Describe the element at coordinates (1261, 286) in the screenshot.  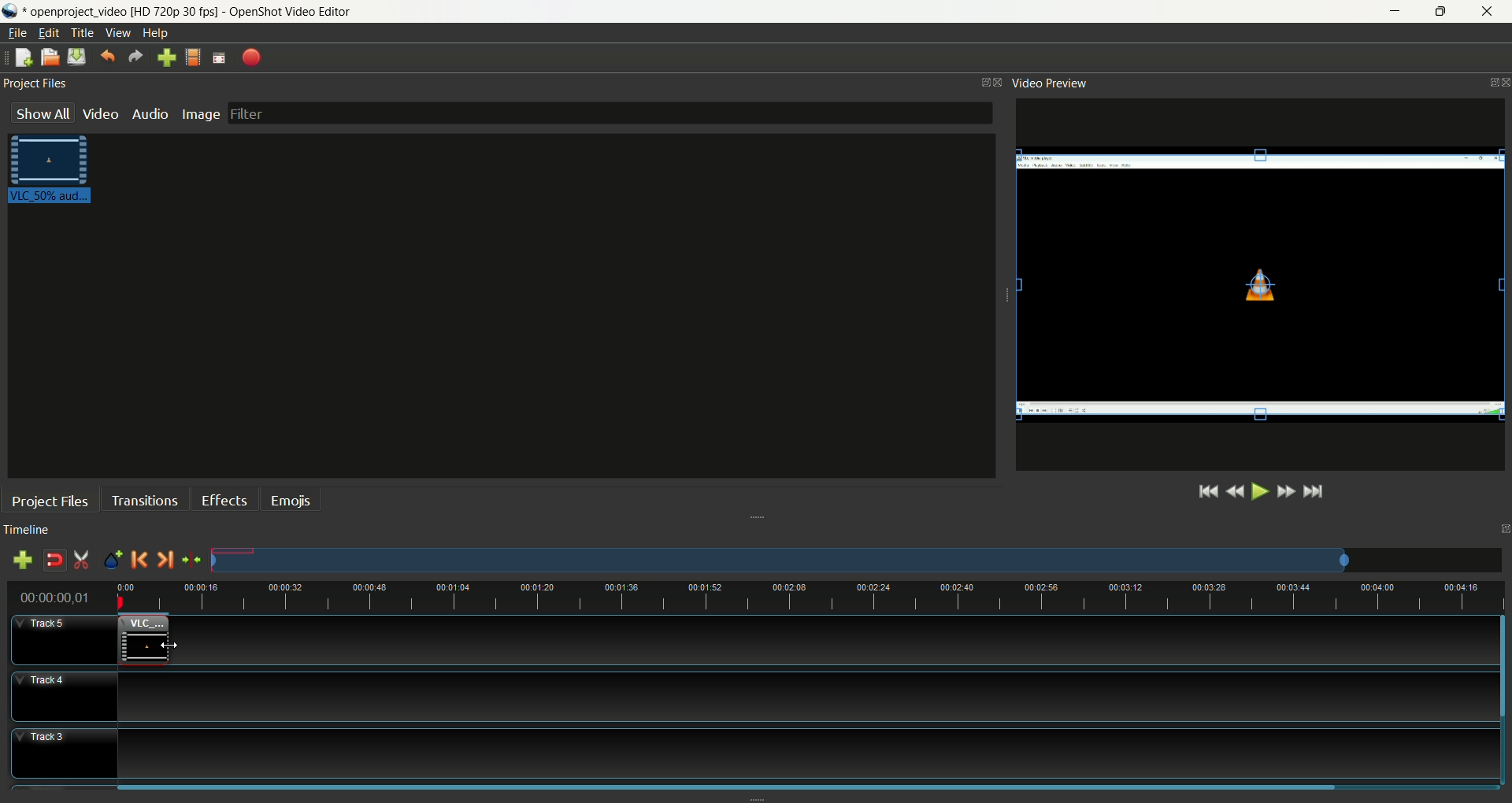
I see `video clip` at that location.